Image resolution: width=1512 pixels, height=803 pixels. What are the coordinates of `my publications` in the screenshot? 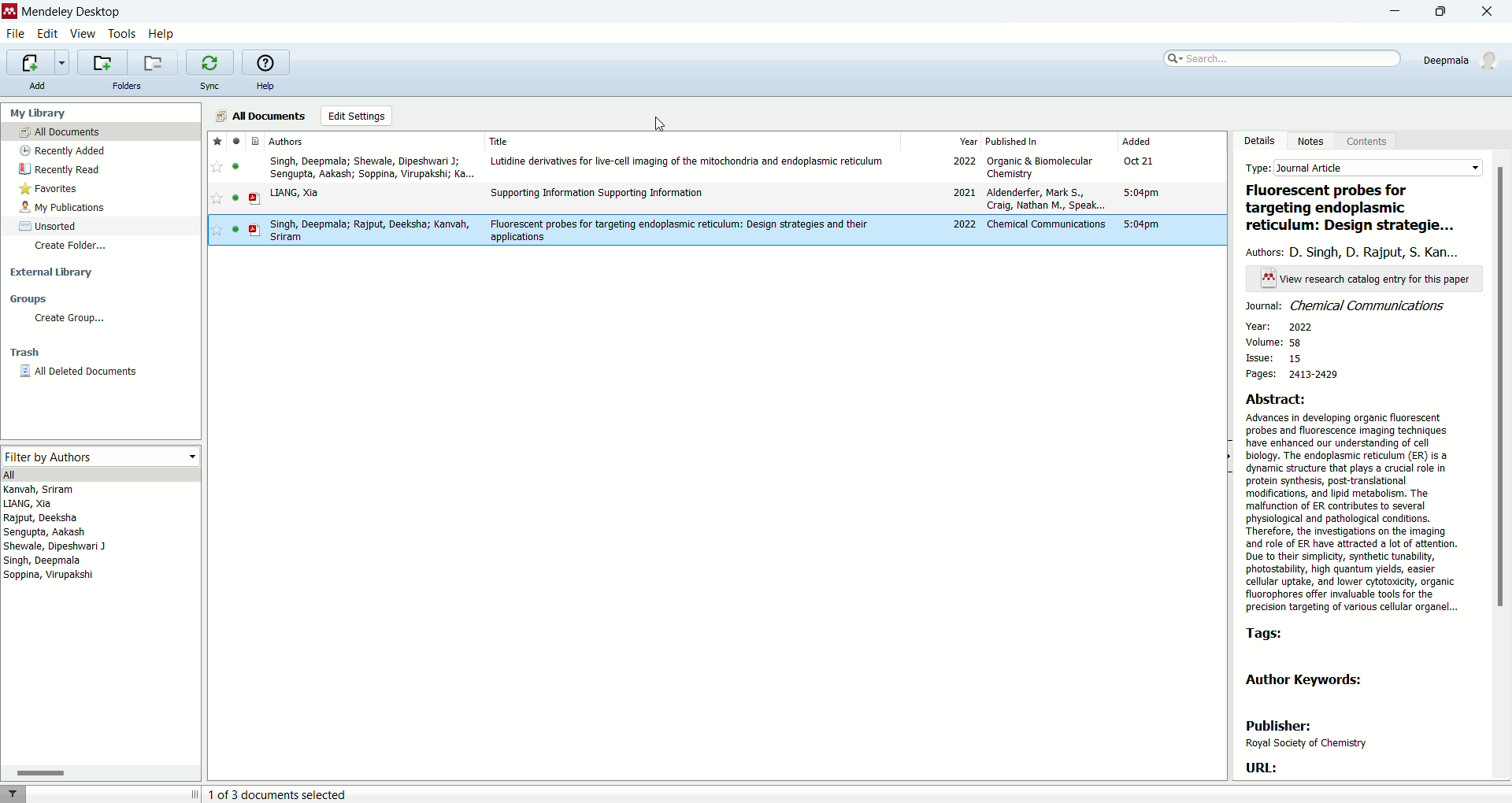 It's located at (65, 209).